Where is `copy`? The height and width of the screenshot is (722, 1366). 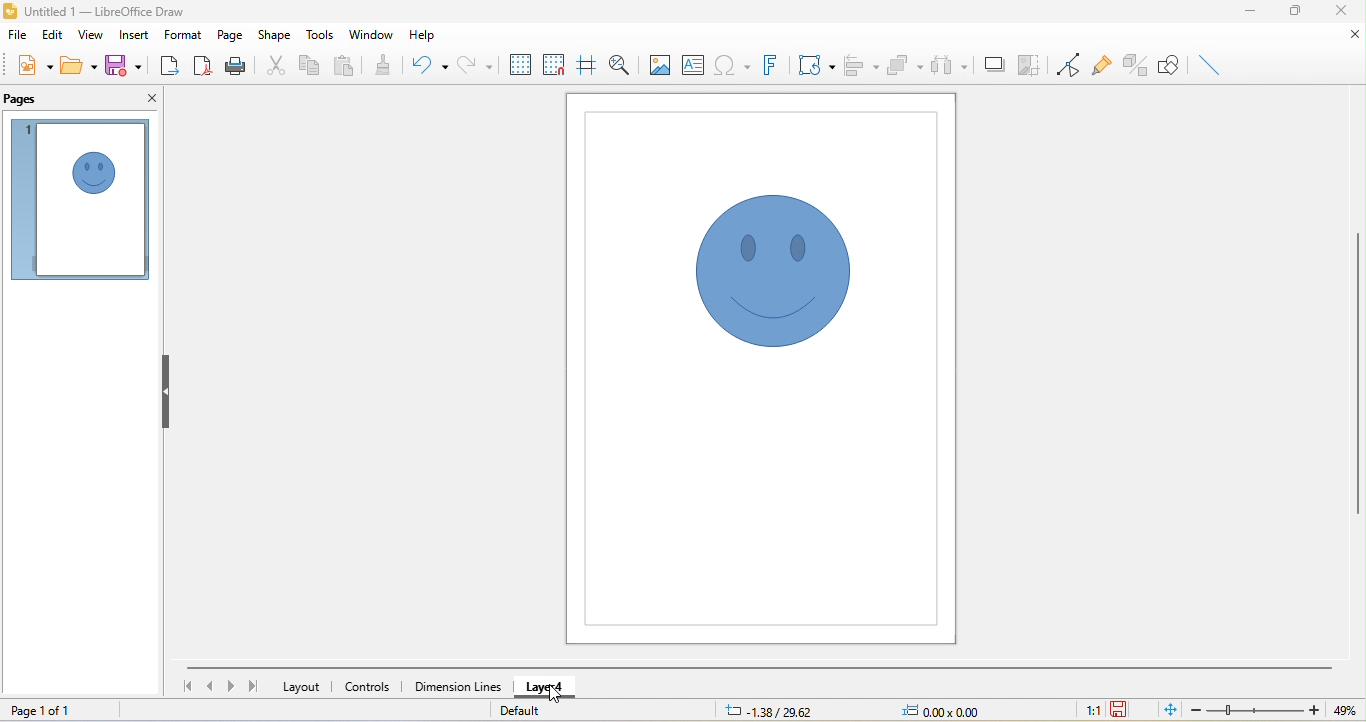
copy is located at coordinates (308, 66).